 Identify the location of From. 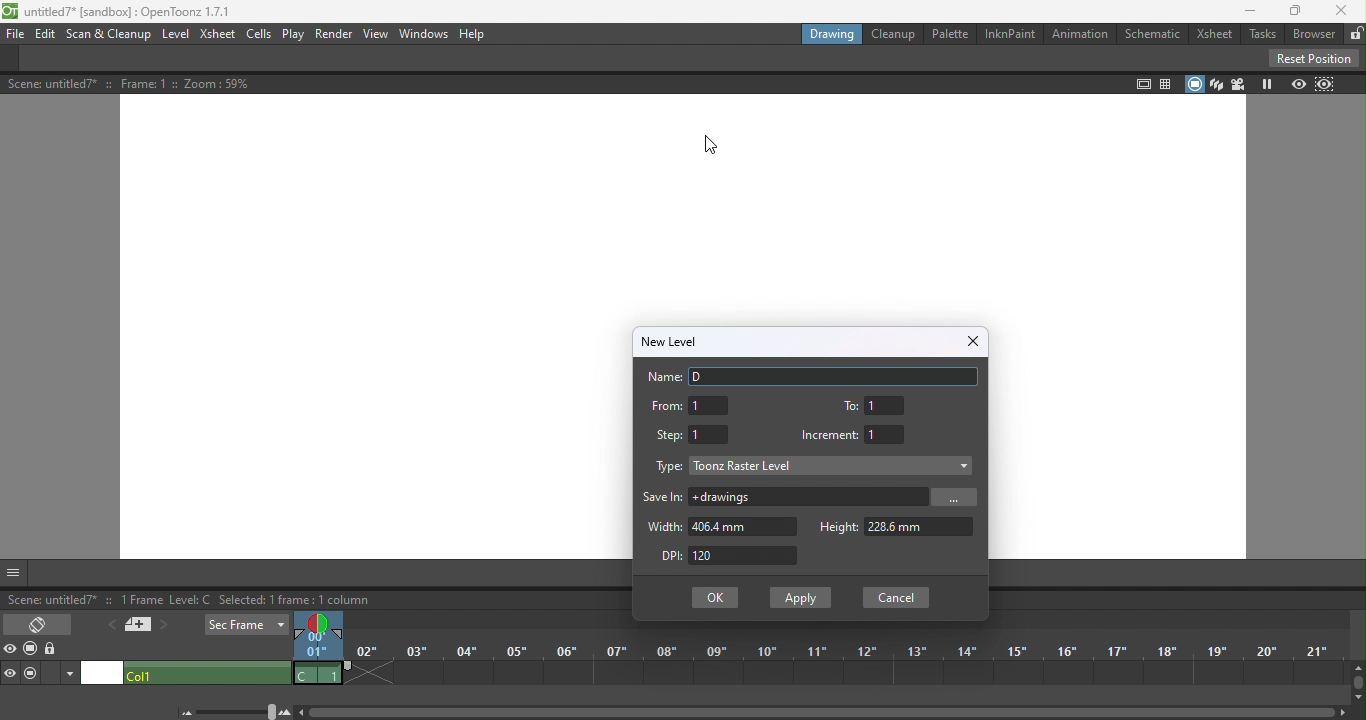
(689, 405).